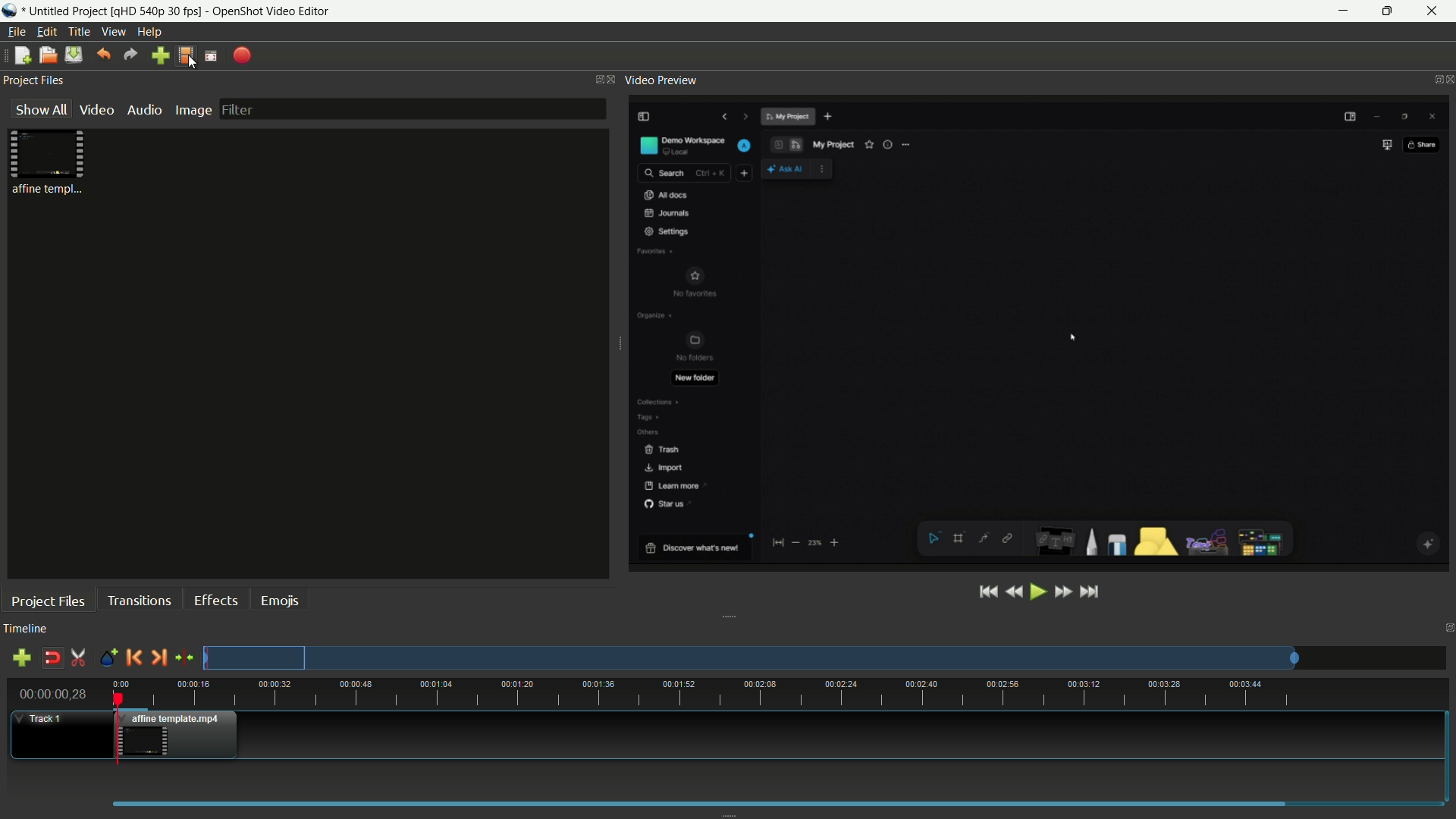  I want to click on export, so click(240, 57).